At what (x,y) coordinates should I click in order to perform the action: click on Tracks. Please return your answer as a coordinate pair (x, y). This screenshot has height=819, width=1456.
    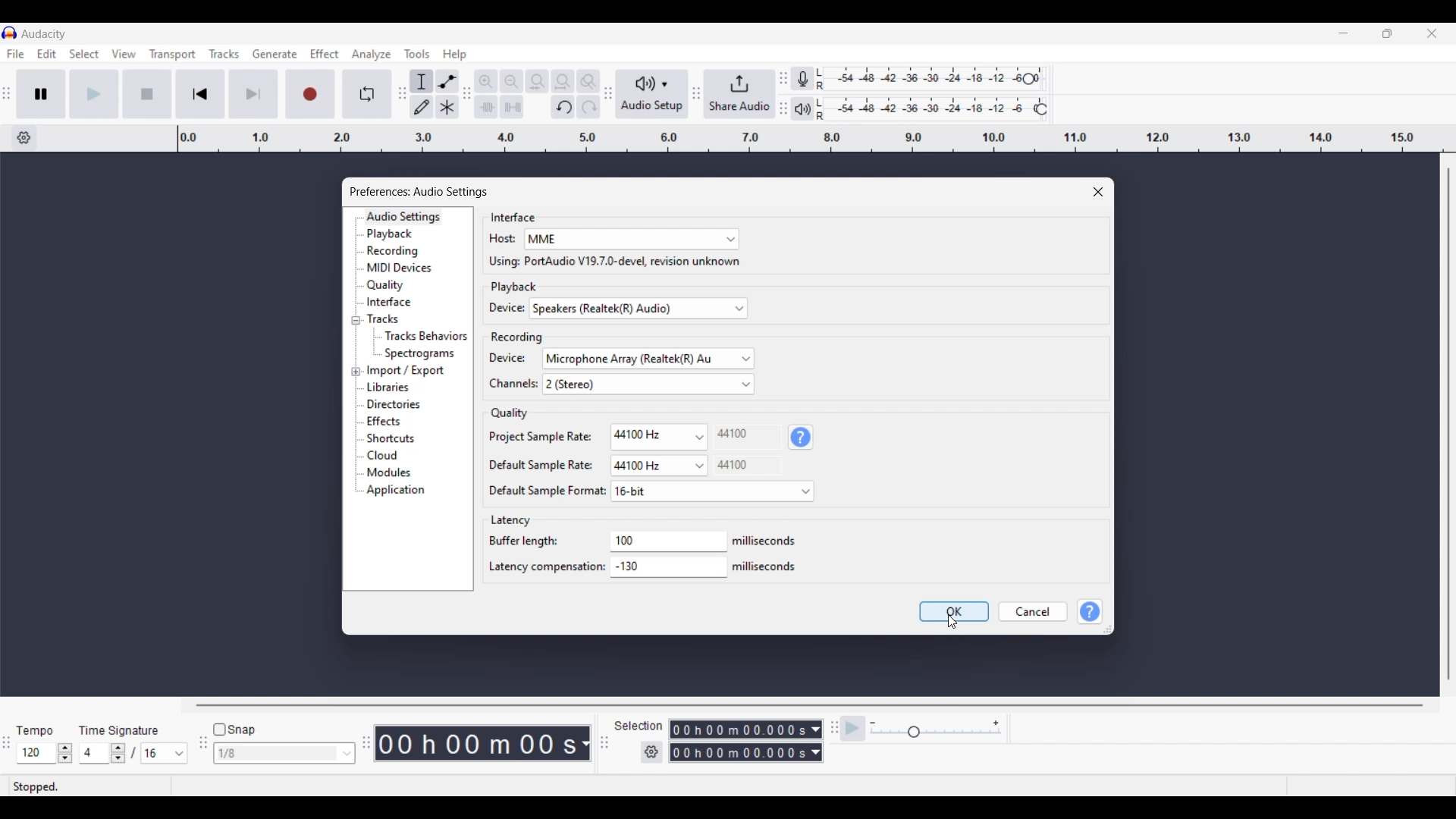
    Looking at the image, I should click on (403, 318).